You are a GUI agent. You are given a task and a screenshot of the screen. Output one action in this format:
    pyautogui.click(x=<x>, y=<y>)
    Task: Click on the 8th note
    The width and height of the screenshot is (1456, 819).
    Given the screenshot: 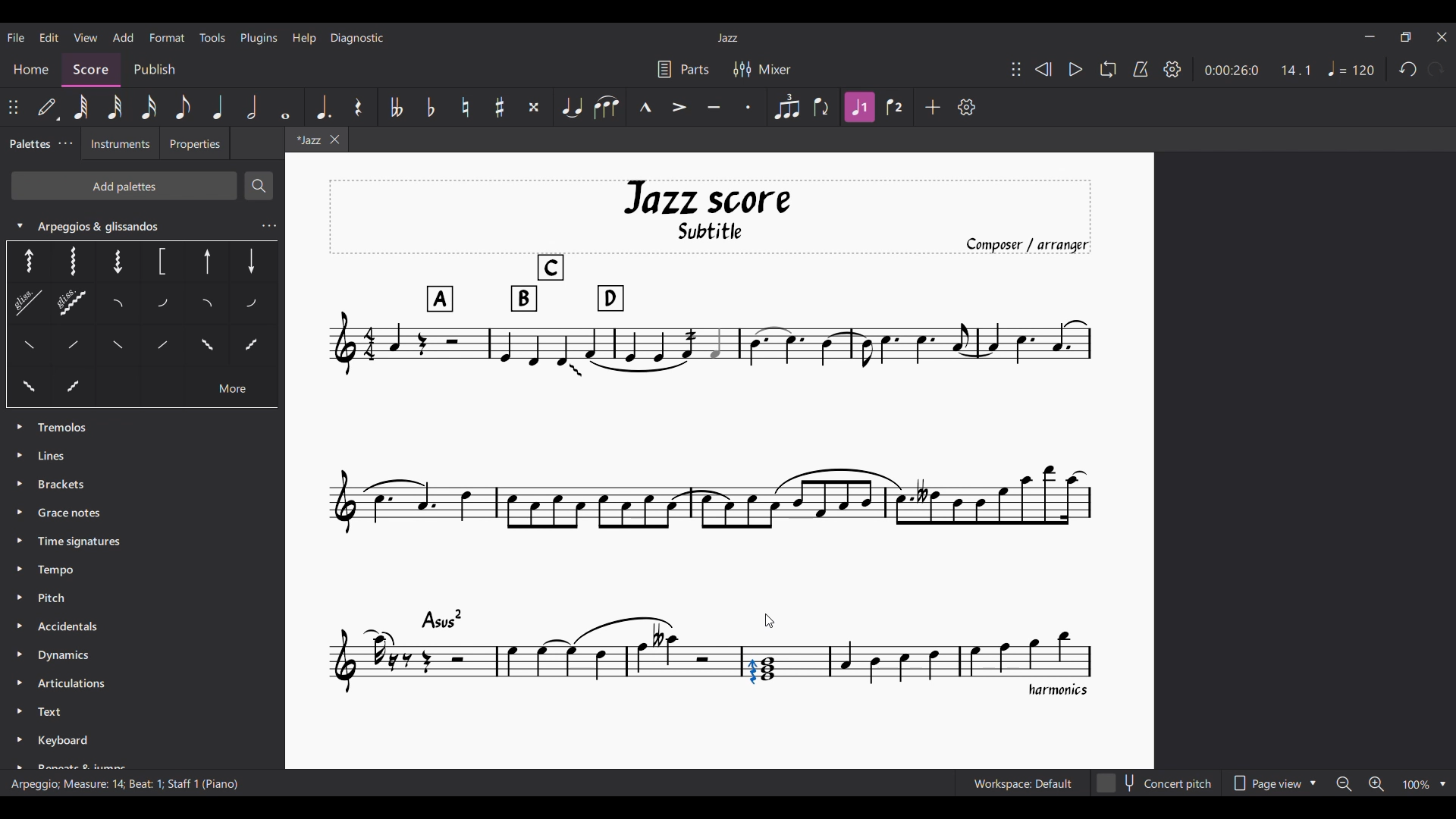 What is the action you would take?
    pyautogui.click(x=183, y=107)
    